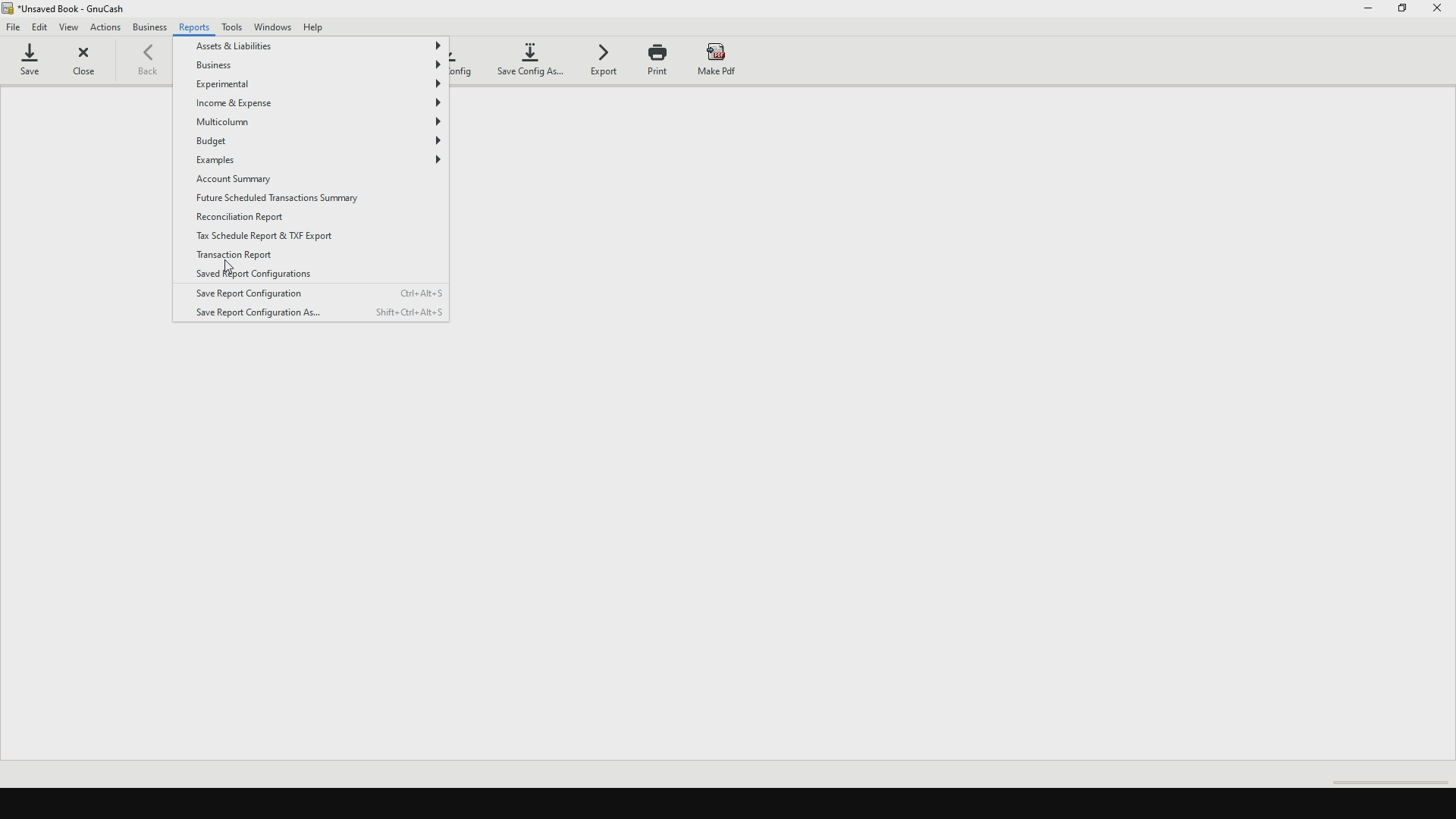  Describe the element at coordinates (72, 27) in the screenshot. I see `view` at that location.